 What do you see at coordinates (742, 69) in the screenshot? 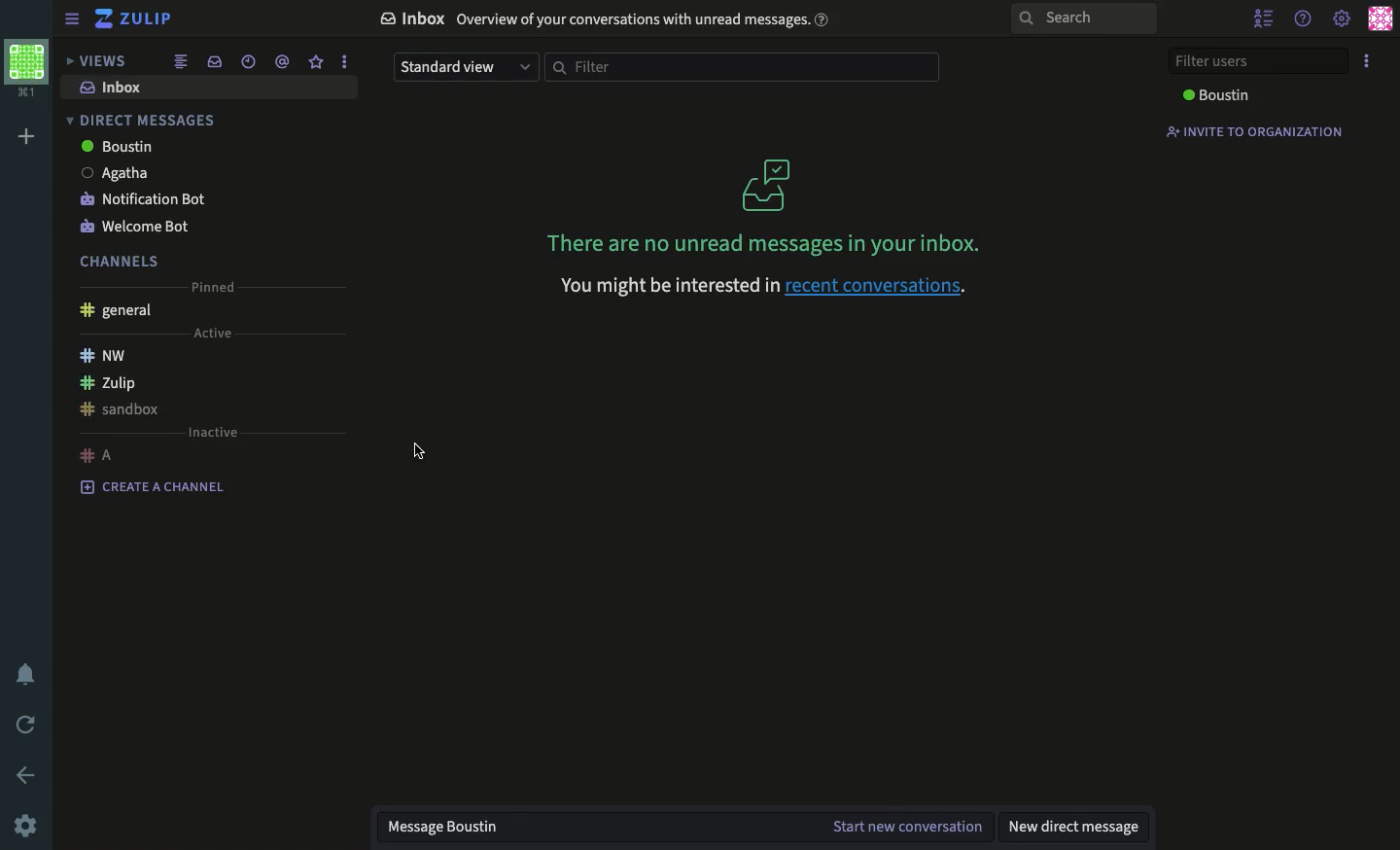
I see `filter` at bounding box center [742, 69].